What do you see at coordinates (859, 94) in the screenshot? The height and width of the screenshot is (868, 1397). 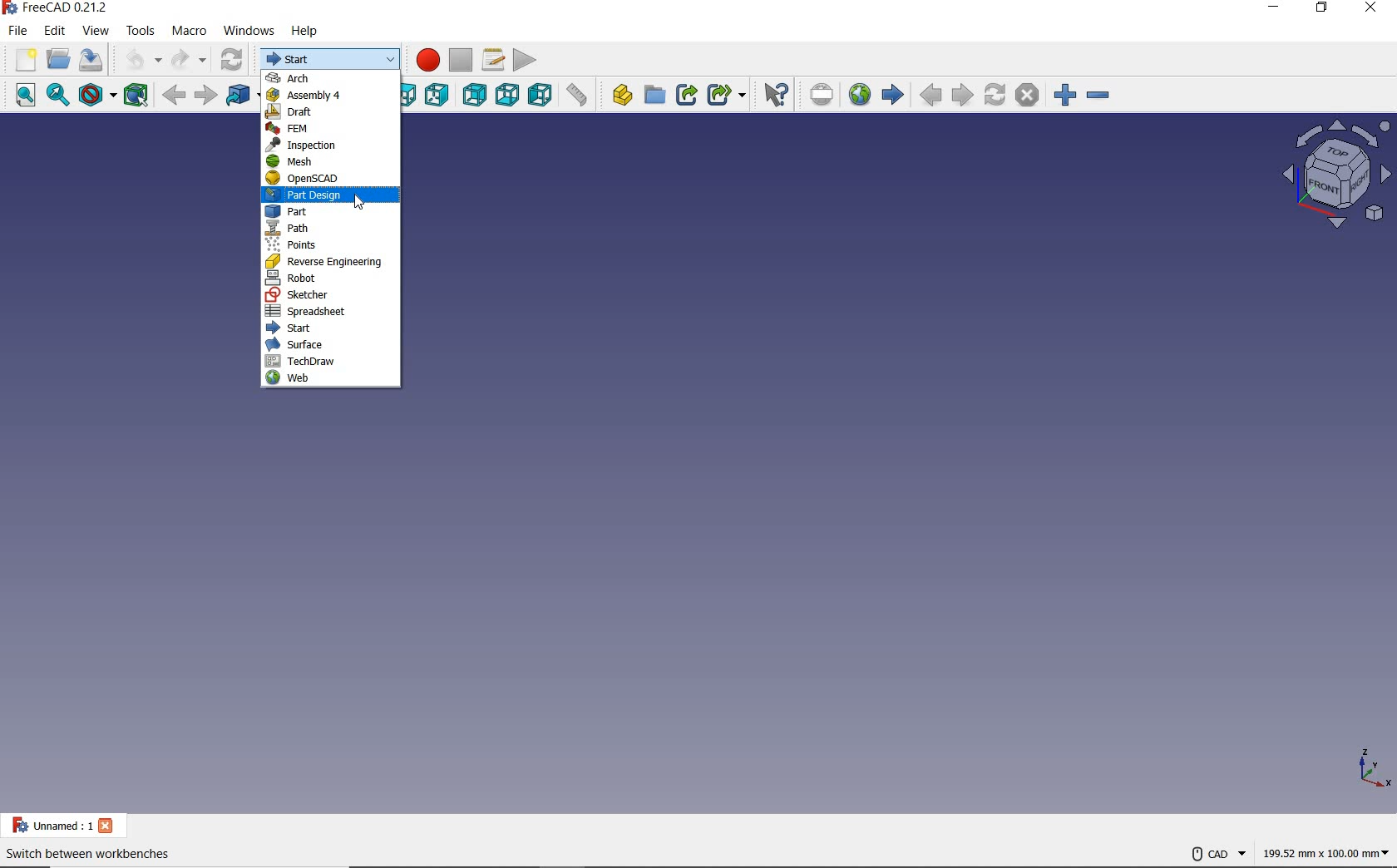 I see `OPEN WEBSITE` at bounding box center [859, 94].